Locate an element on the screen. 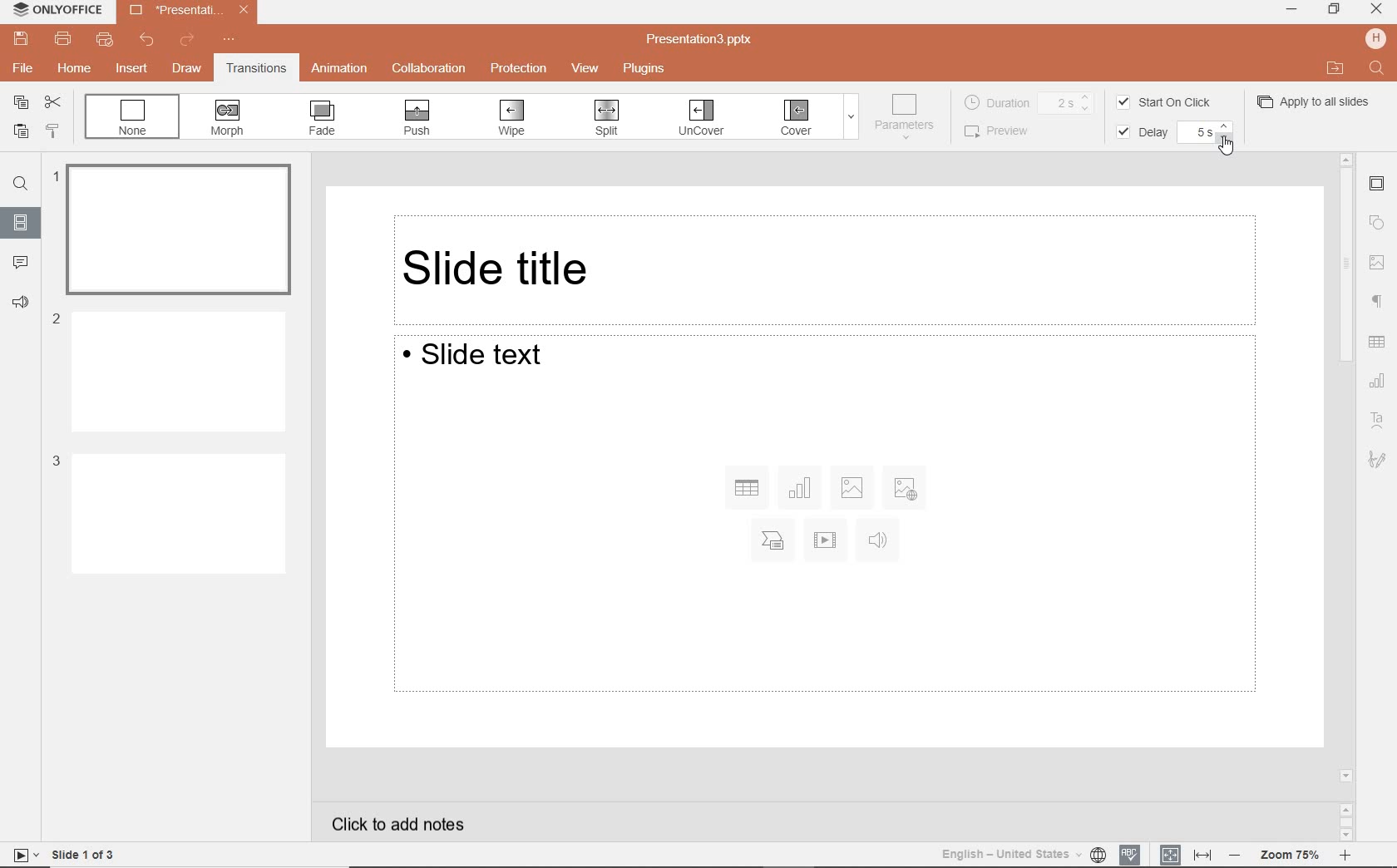 This screenshot has width=1397, height=868. START ON CLICK is located at coordinates (1168, 101).